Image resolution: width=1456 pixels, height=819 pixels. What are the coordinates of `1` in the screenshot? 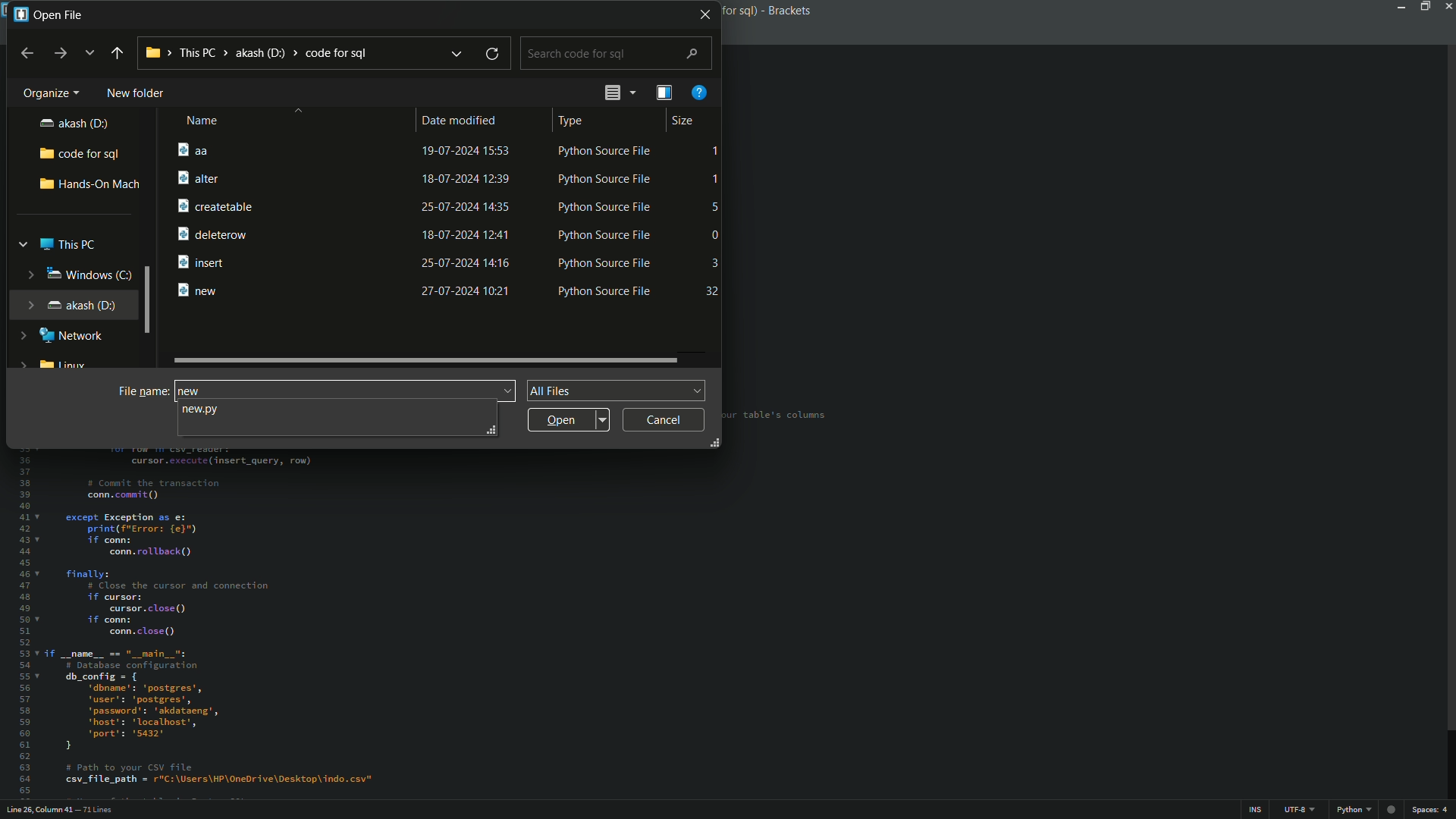 It's located at (716, 179).